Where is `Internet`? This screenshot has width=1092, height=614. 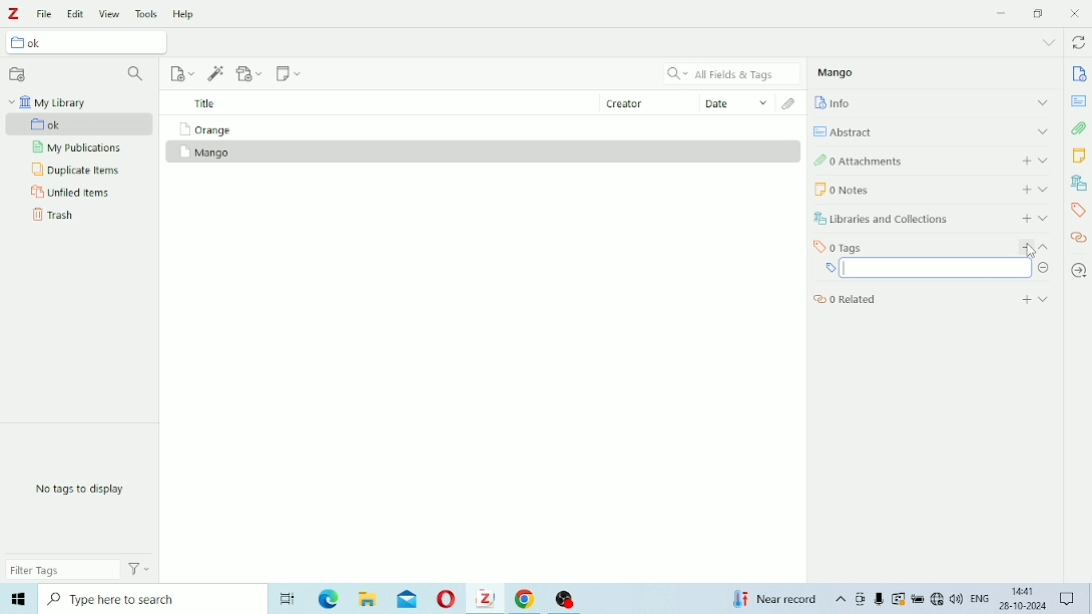 Internet is located at coordinates (937, 600).